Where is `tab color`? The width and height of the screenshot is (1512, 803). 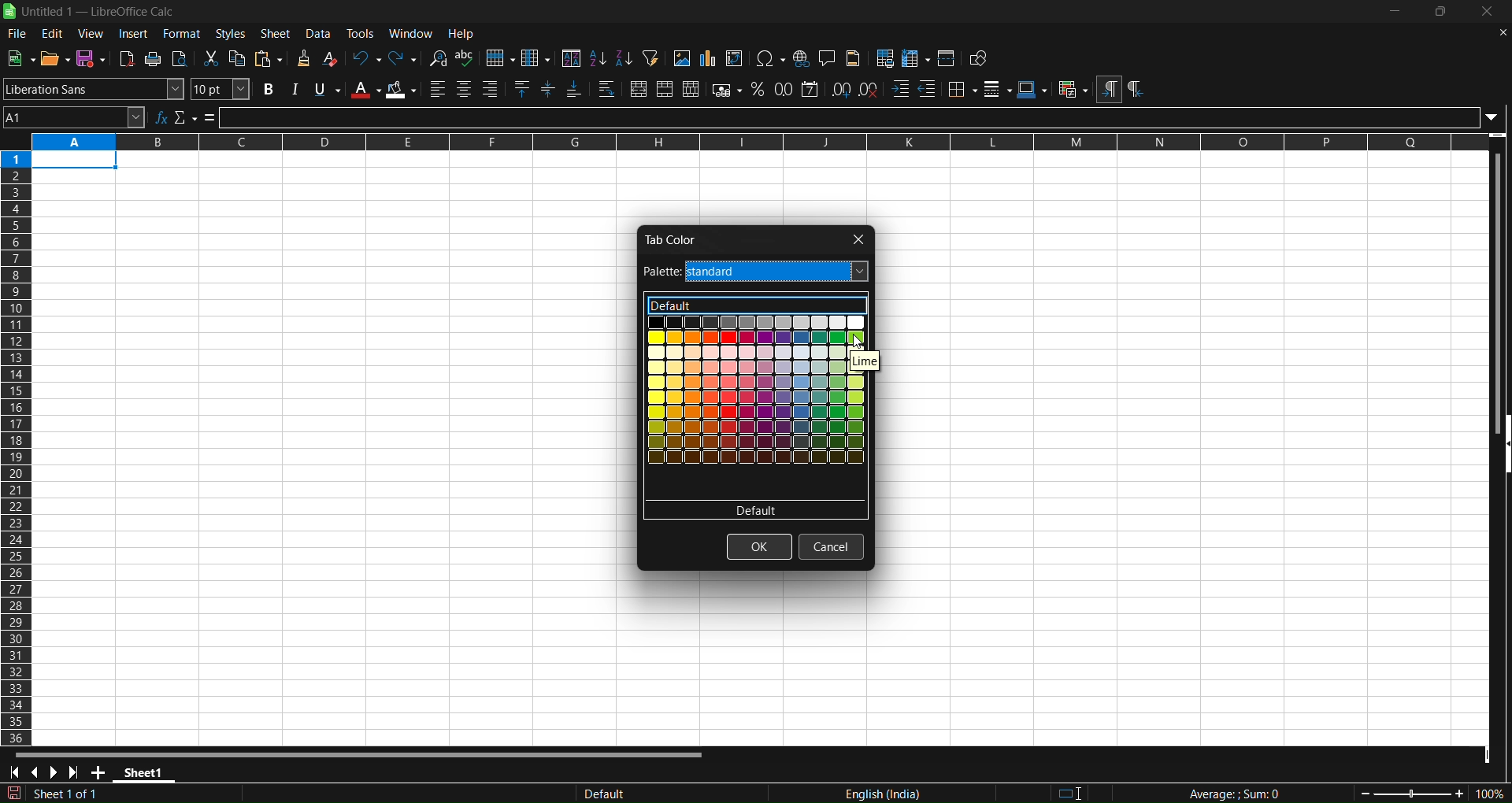
tab color is located at coordinates (673, 239).